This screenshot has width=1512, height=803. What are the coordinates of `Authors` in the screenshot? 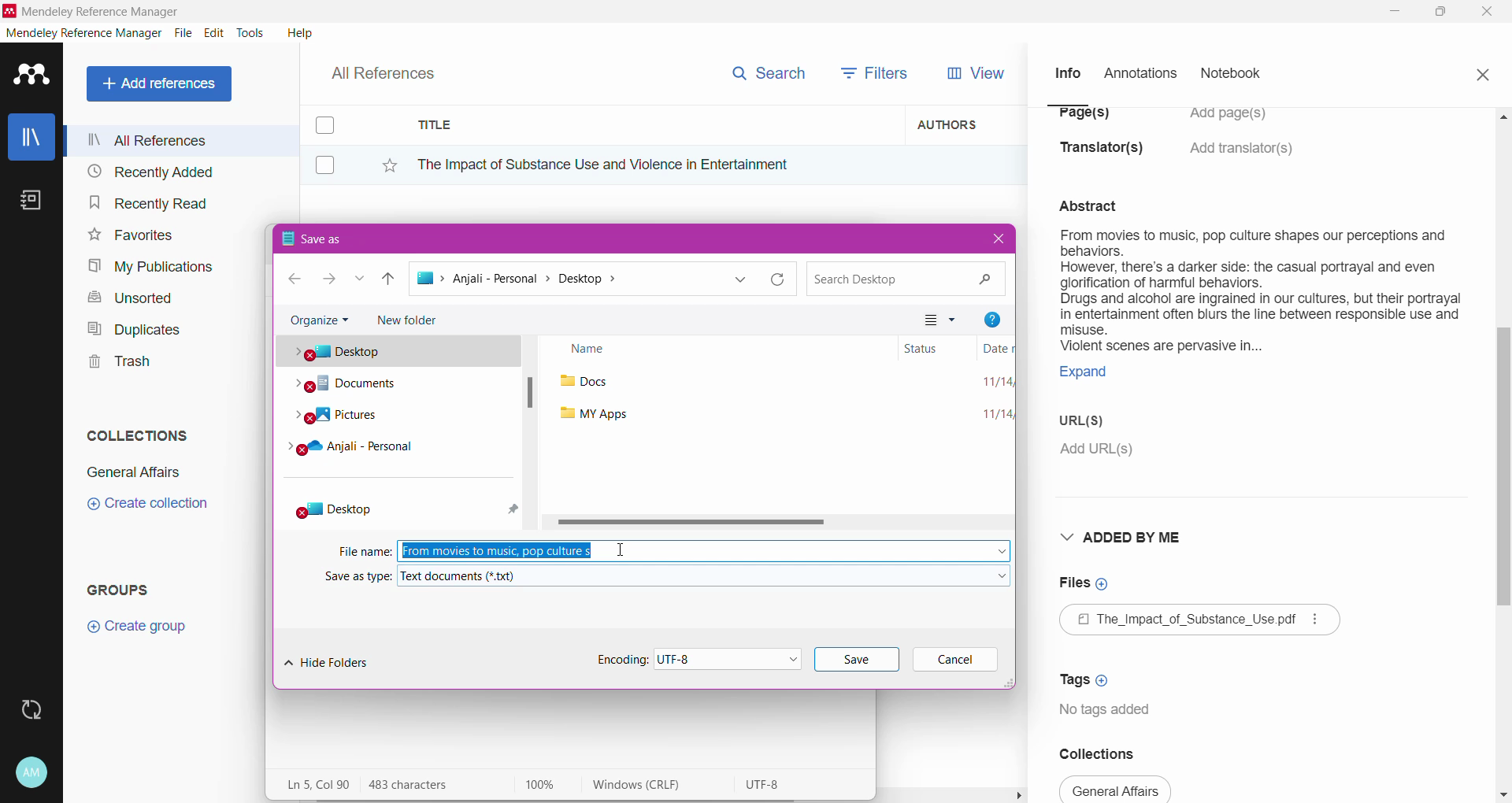 It's located at (966, 124).